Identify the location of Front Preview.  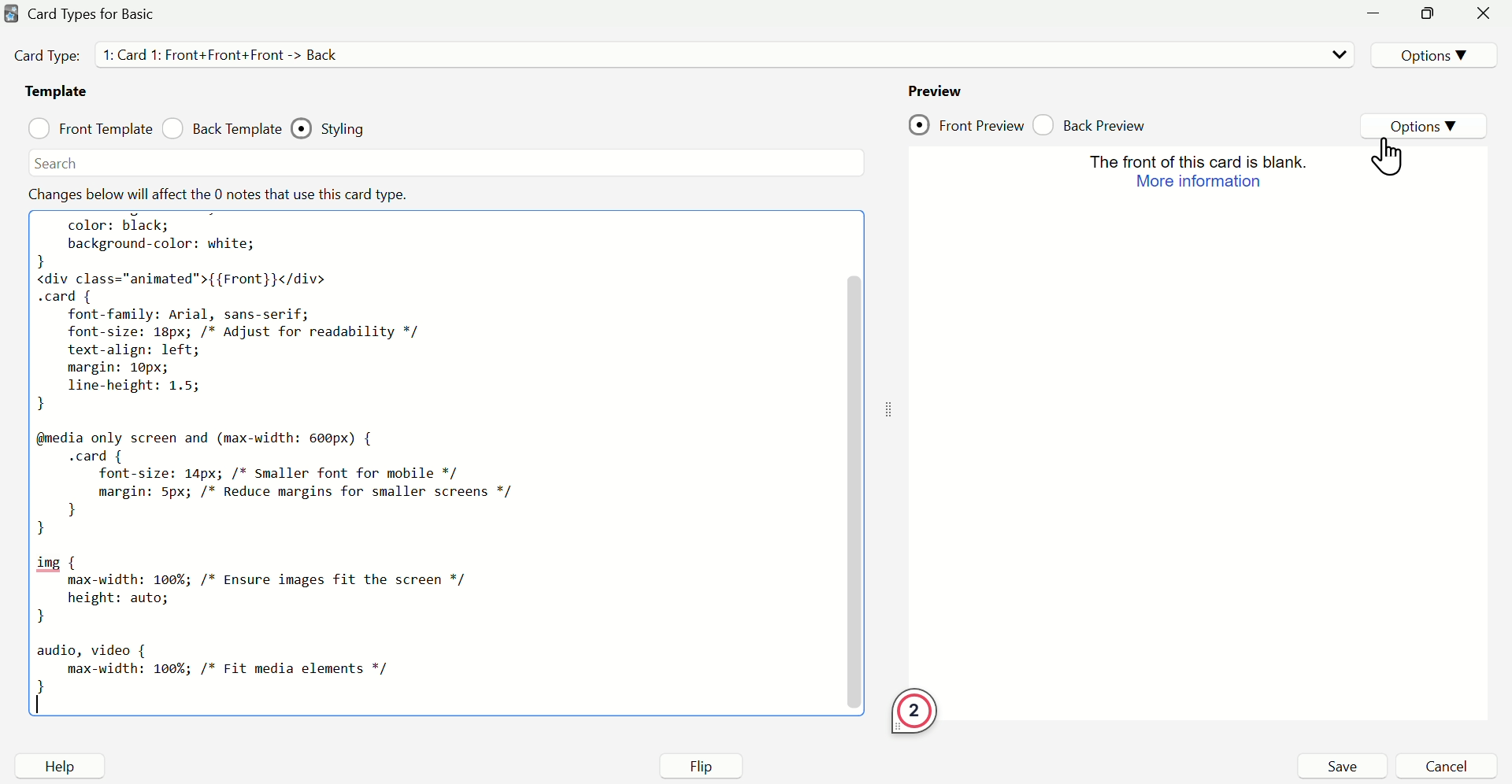
(966, 124).